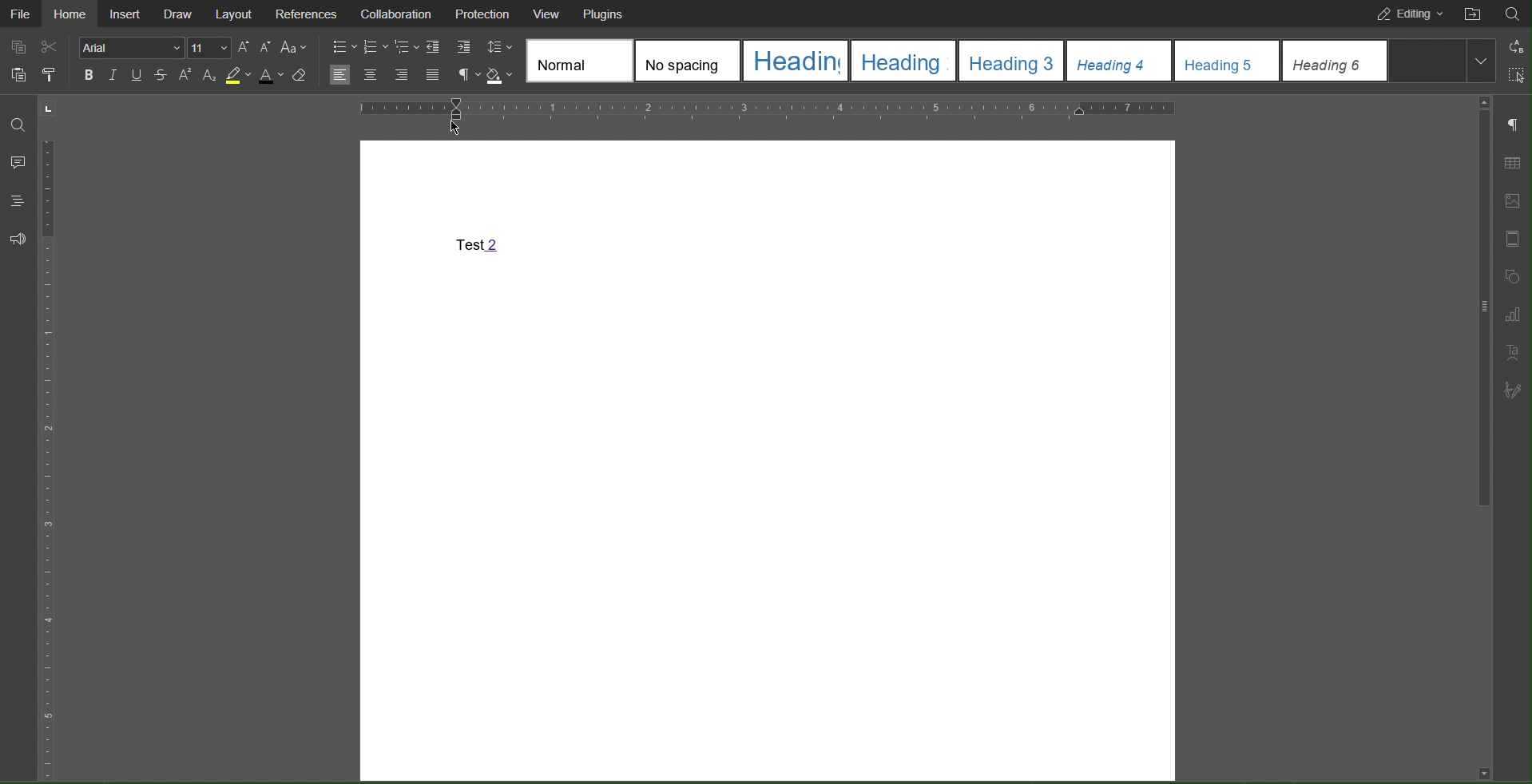 Image resolution: width=1532 pixels, height=784 pixels. What do you see at coordinates (435, 74) in the screenshot?
I see `Justify` at bounding box center [435, 74].